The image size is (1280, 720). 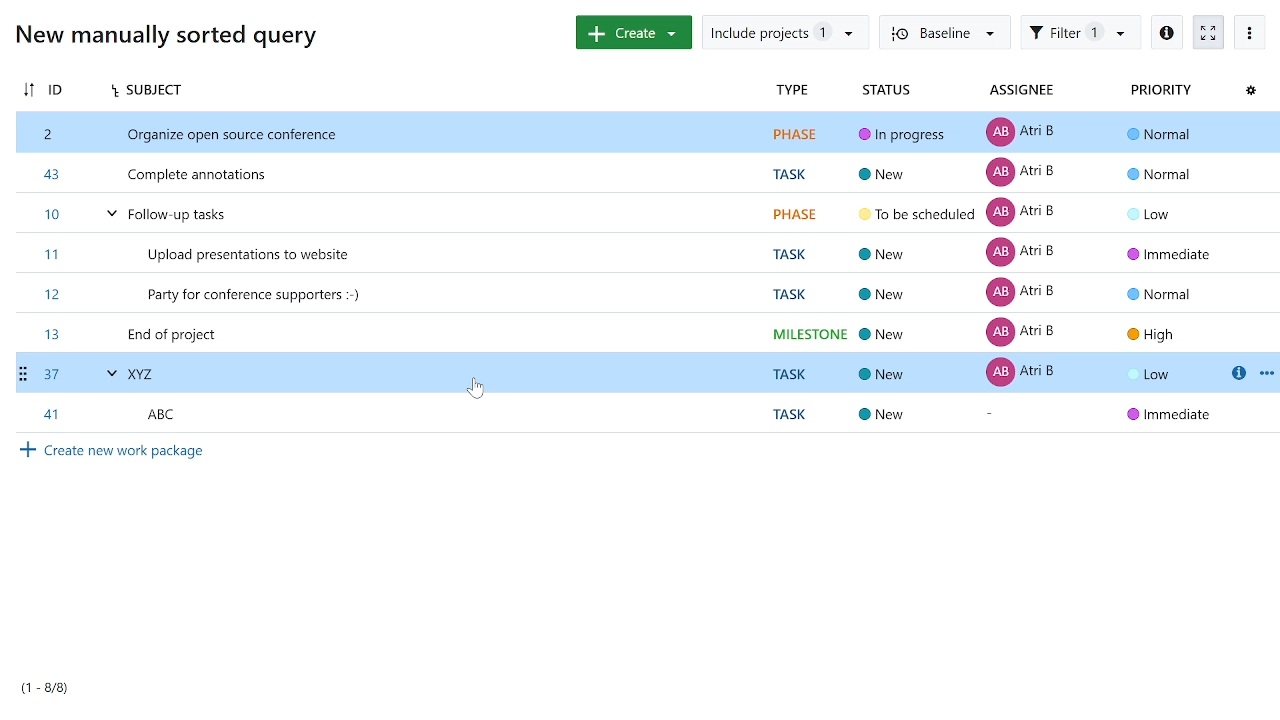 I want to click on task name "Follow-up tasks", so click(x=641, y=213).